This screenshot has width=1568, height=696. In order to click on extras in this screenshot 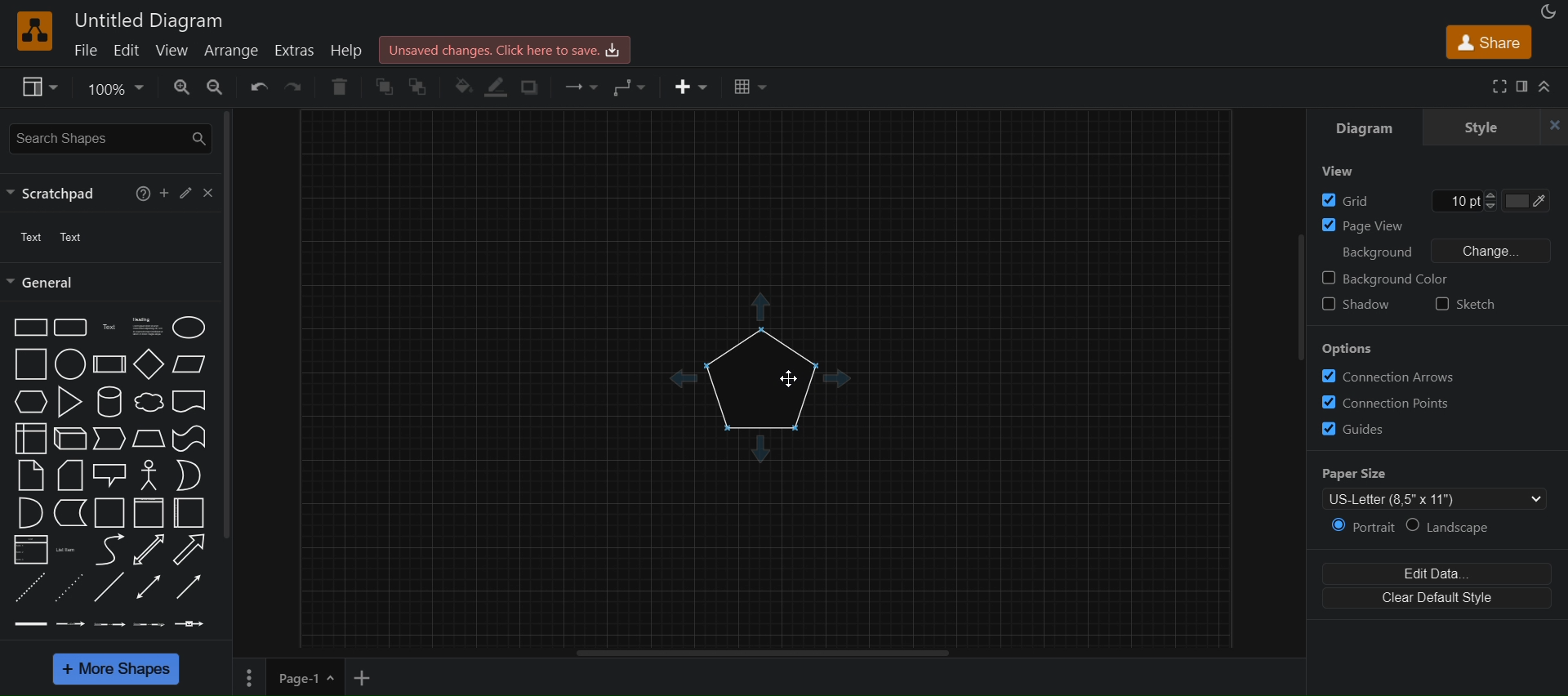, I will do `click(296, 51)`.